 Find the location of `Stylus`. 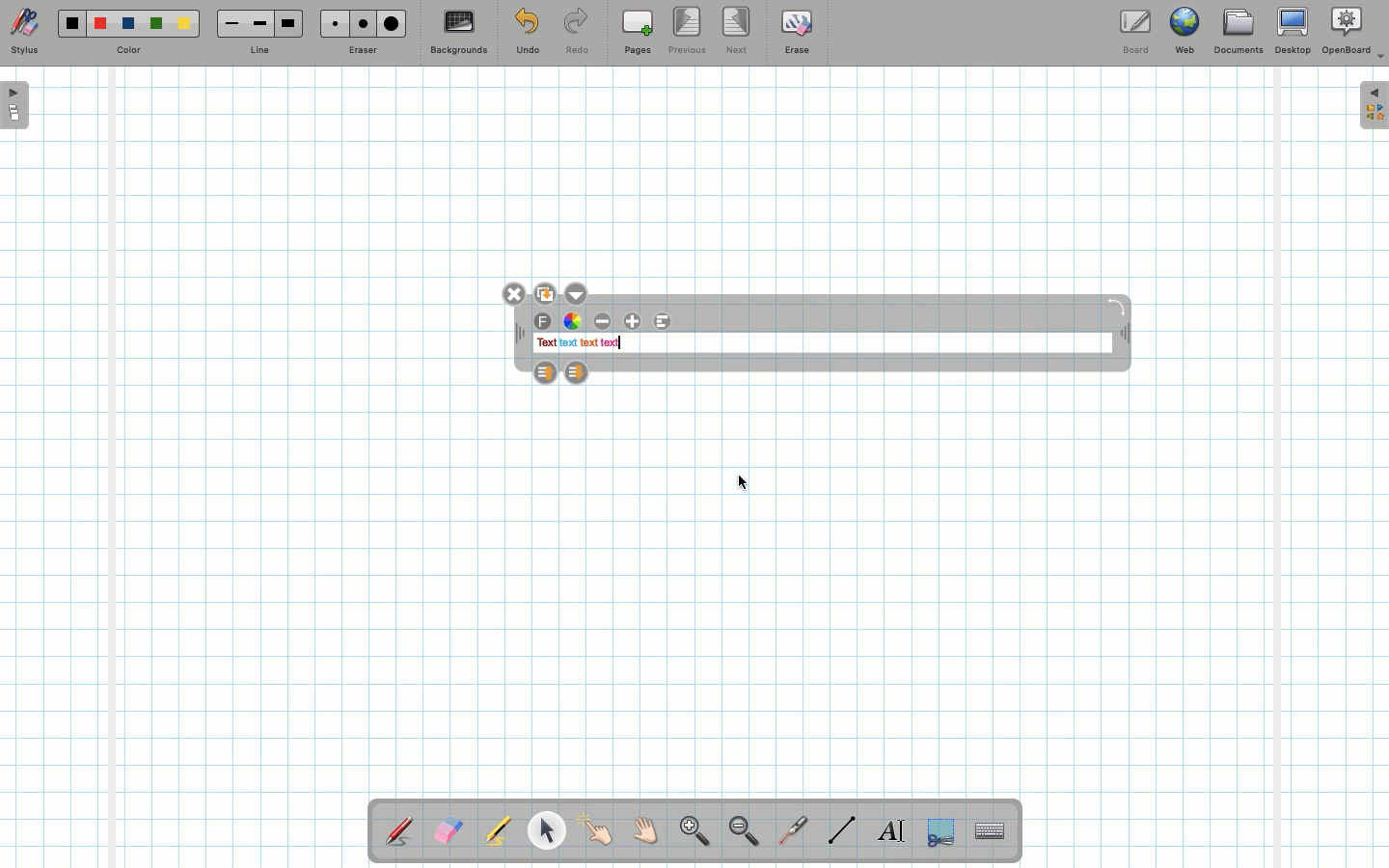

Stylus is located at coordinates (400, 830).